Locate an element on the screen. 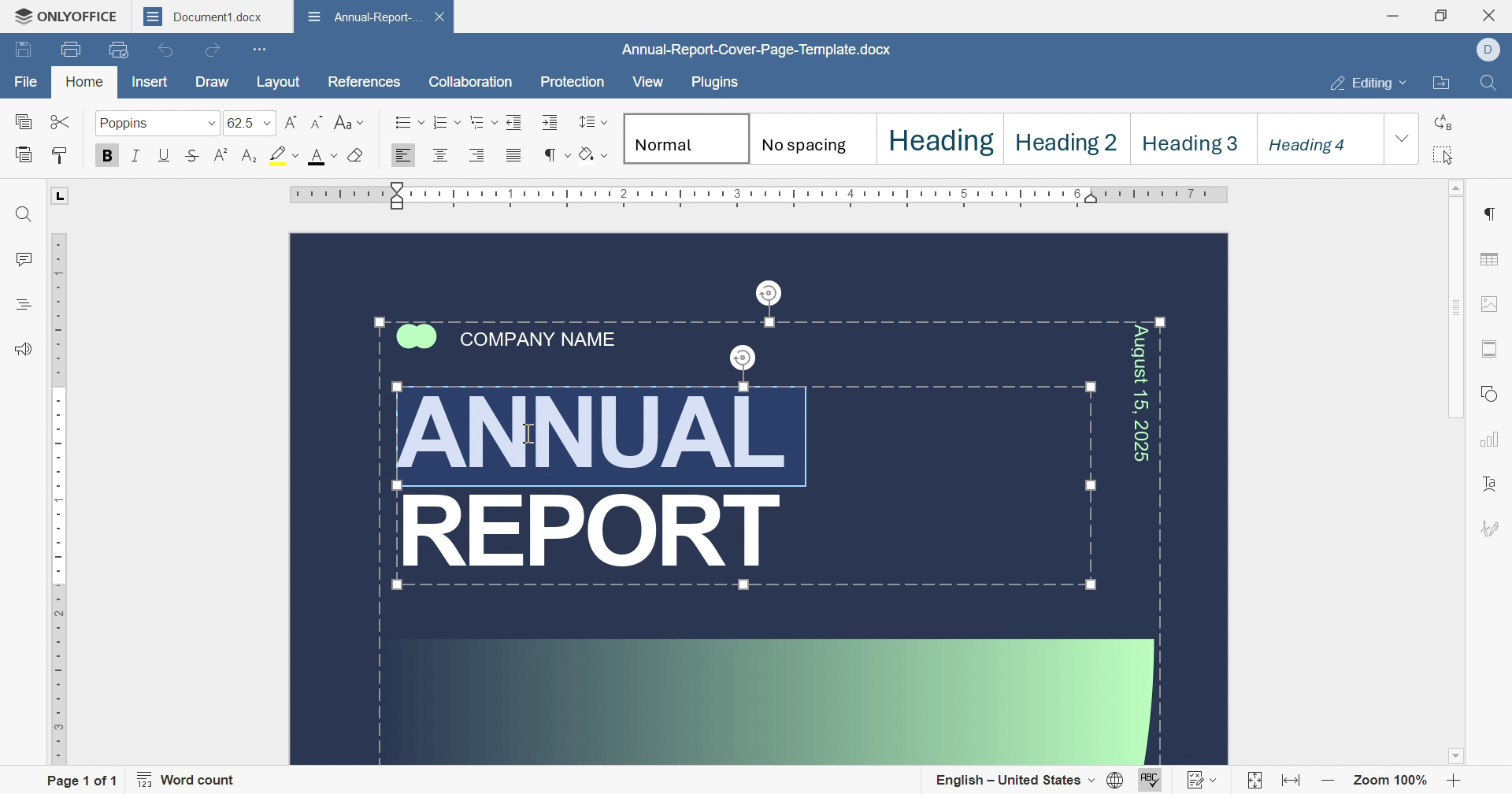 This screenshot has height=794, width=1512. page 1 of 1 is located at coordinates (80, 780).